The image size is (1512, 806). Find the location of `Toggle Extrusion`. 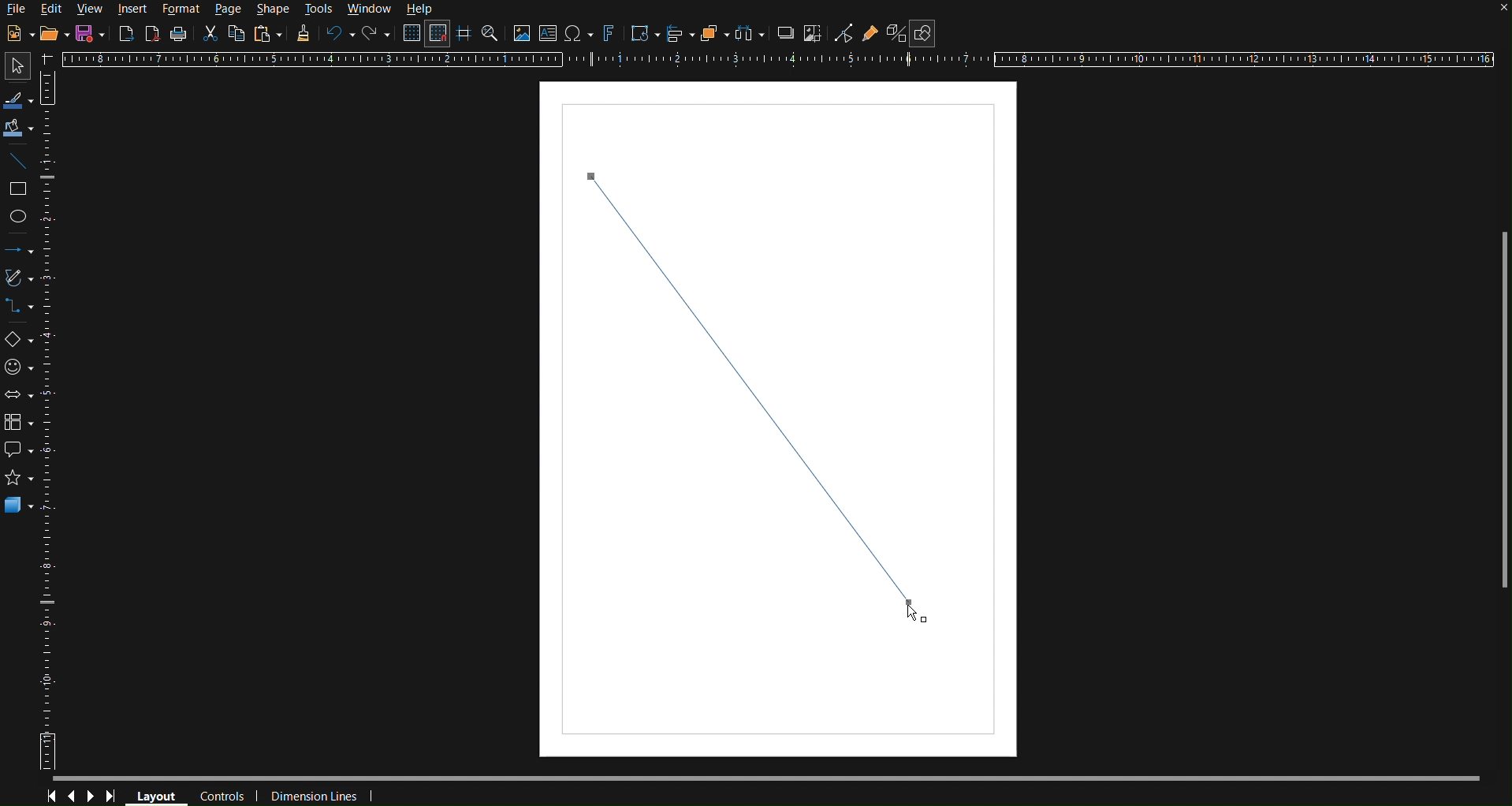

Toggle Extrusion is located at coordinates (896, 33).